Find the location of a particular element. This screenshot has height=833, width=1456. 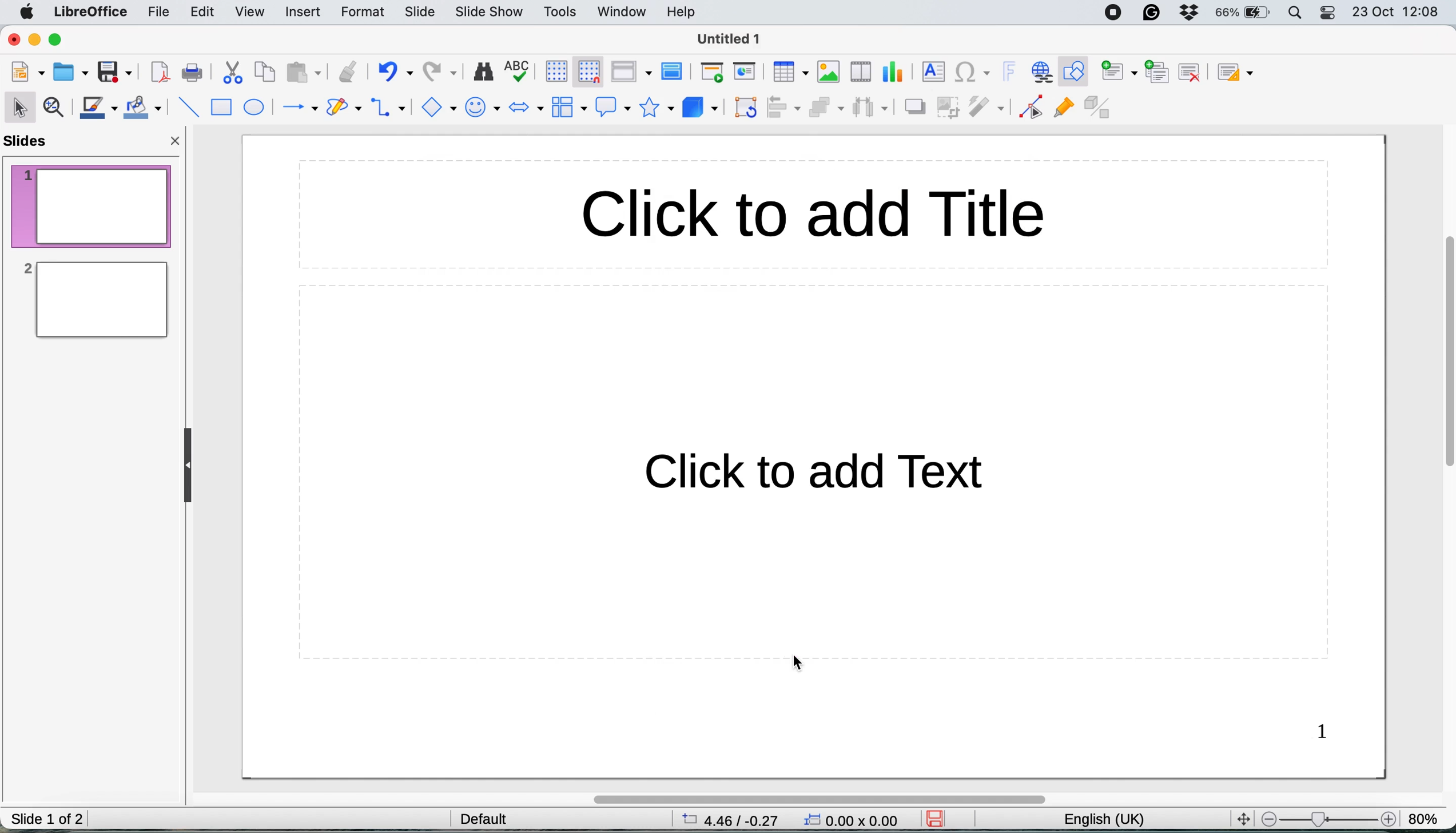

fit to screen is located at coordinates (1240, 818).